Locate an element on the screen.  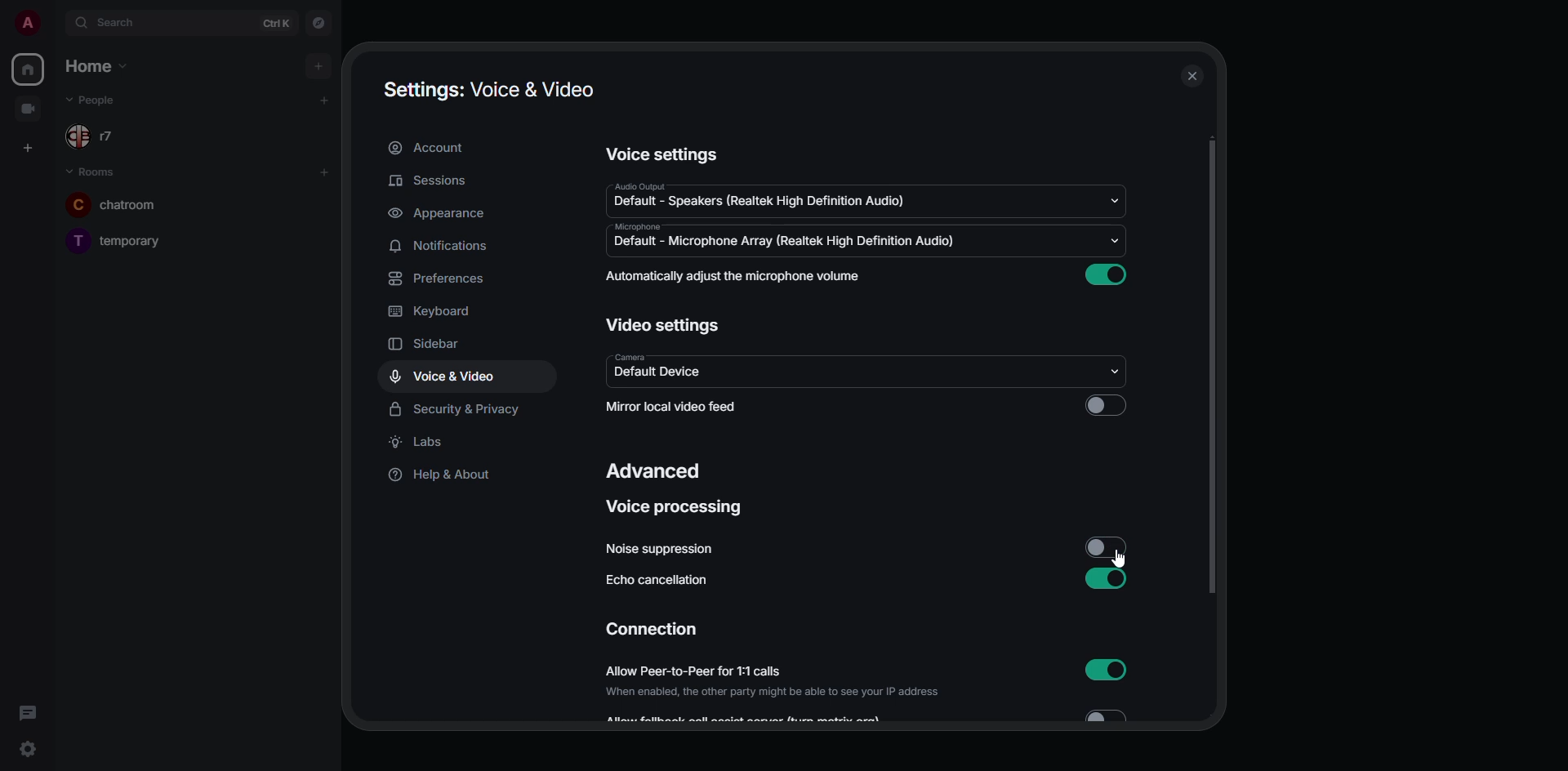
default is located at coordinates (785, 243).